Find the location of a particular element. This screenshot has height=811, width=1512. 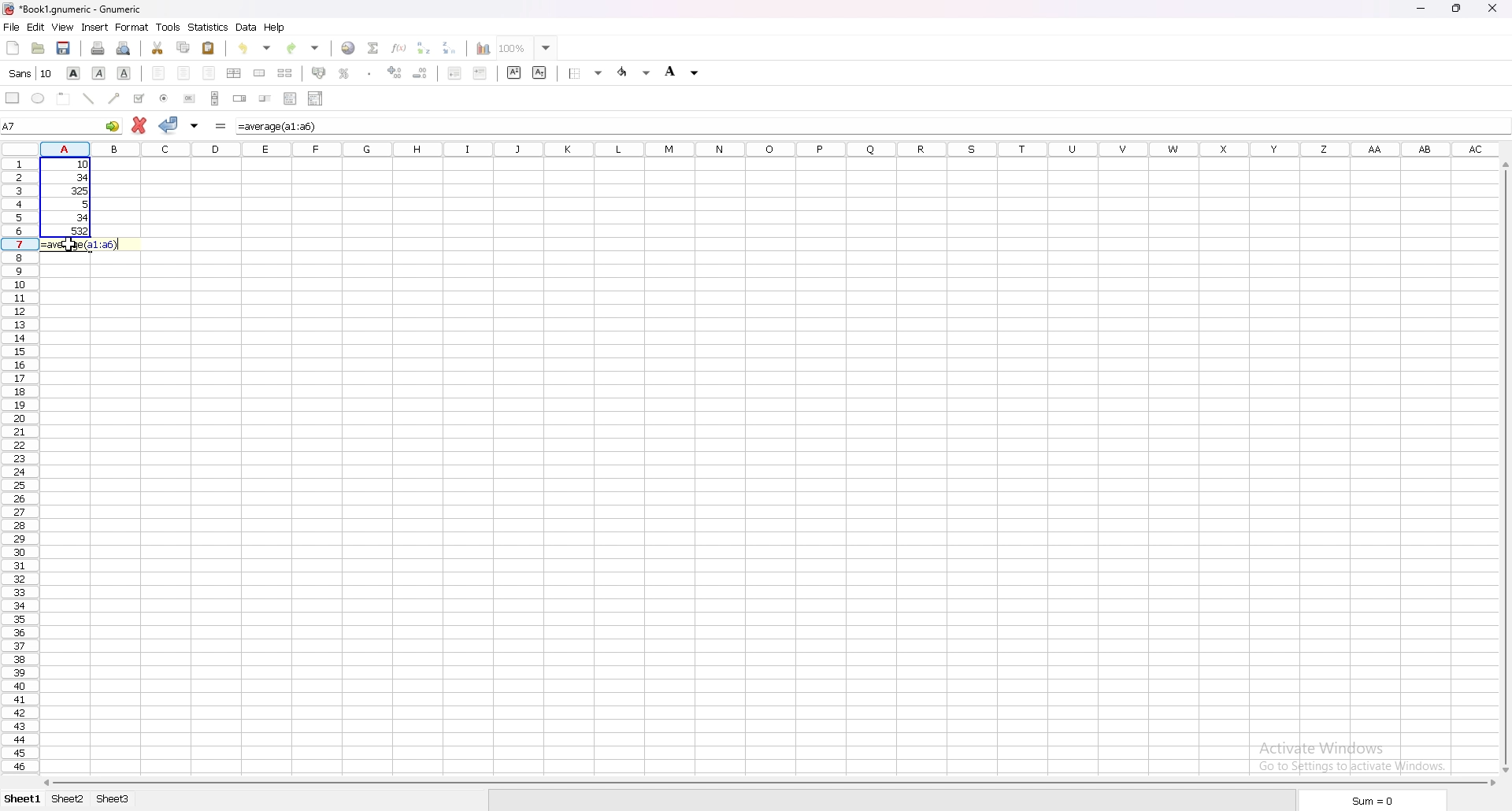

sheet 2 is located at coordinates (68, 798).